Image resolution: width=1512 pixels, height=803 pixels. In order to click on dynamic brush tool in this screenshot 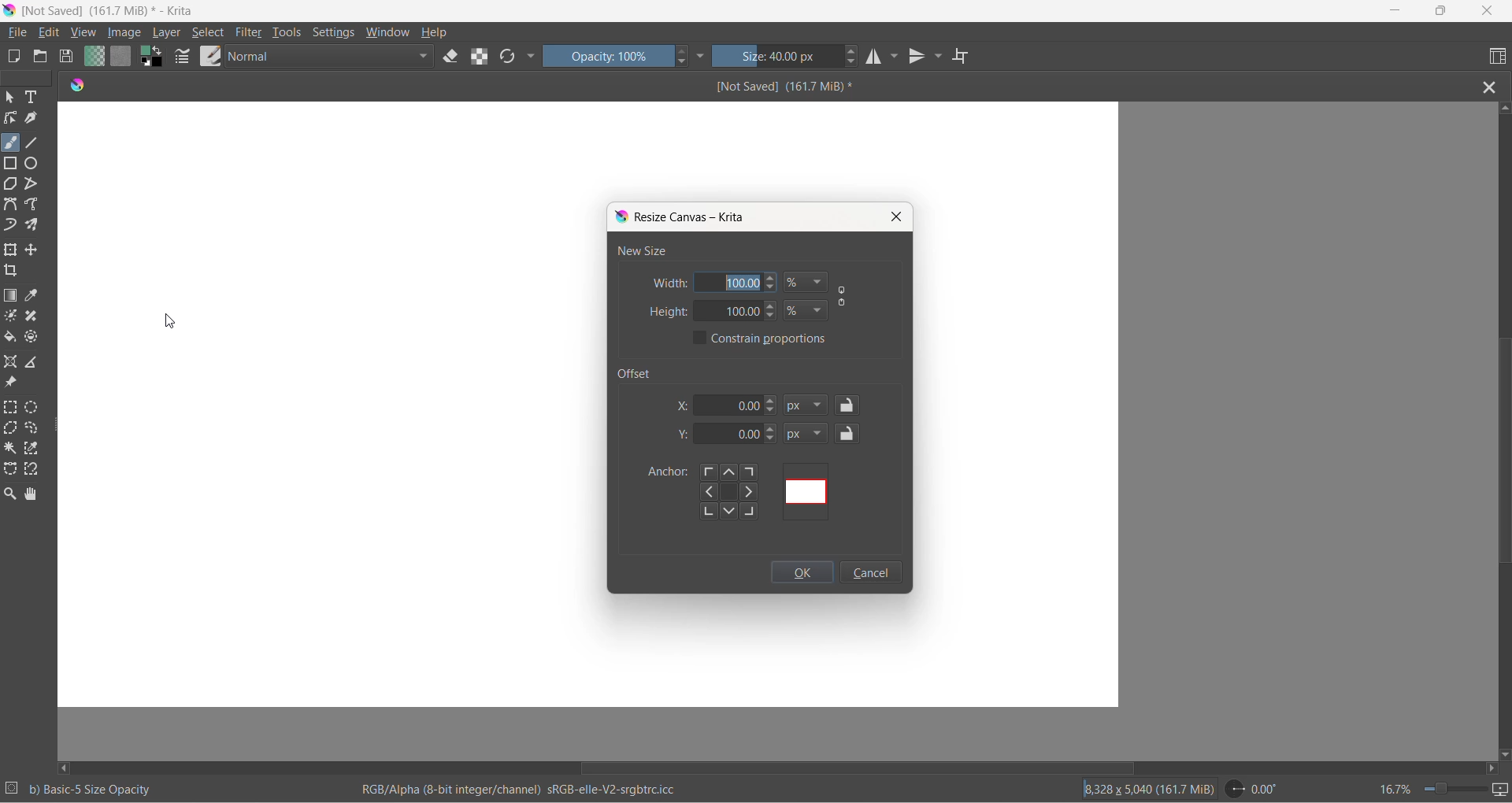, I will do `click(12, 226)`.